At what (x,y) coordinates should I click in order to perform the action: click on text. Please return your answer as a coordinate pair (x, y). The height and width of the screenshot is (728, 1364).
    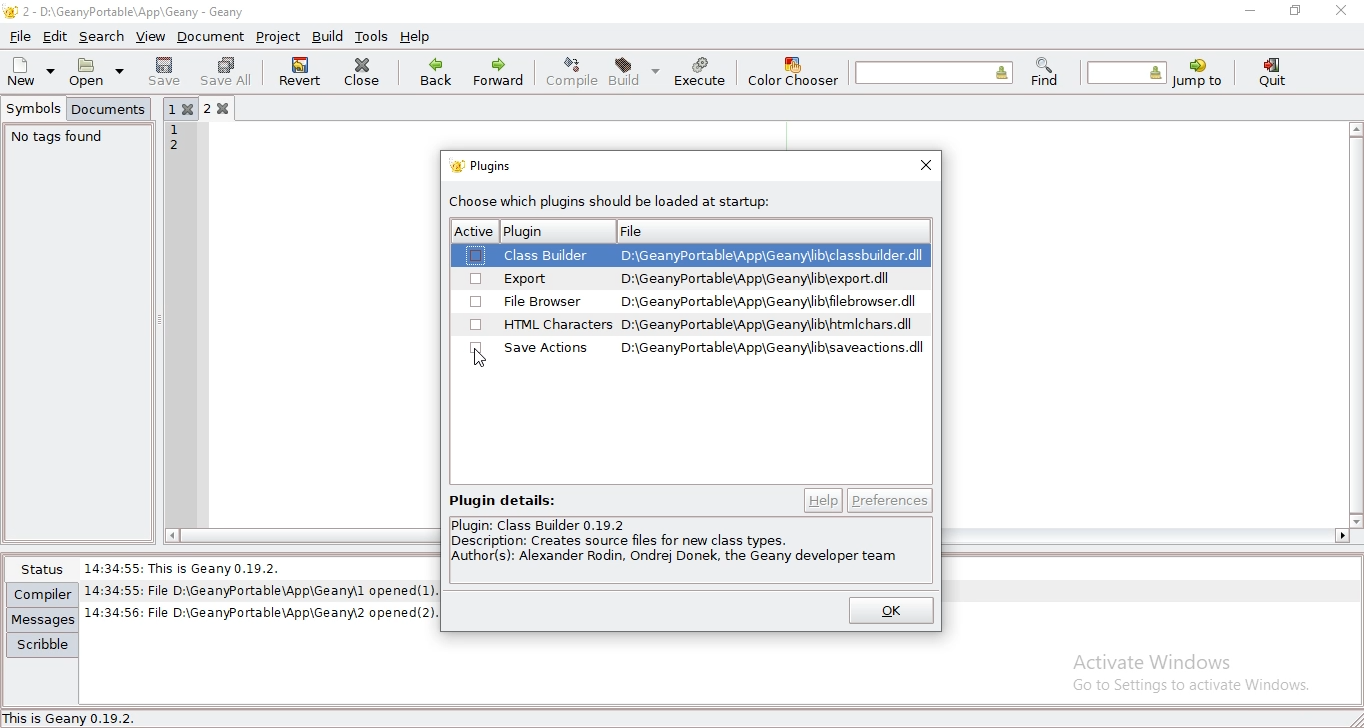
    Looking at the image, I should click on (681, 547).